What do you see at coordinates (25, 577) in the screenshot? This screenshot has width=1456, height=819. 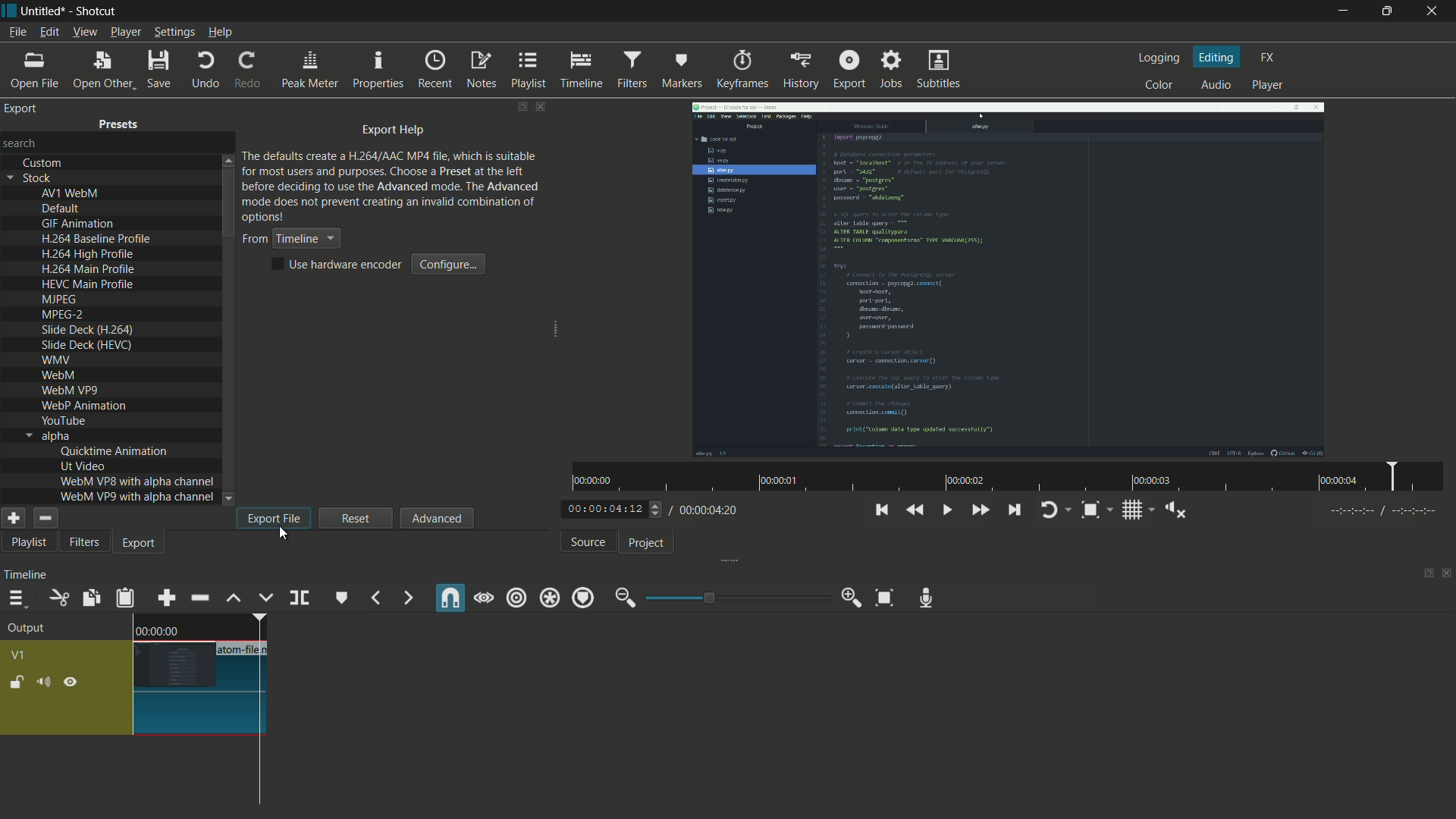 I see `timeline` at bounding box center [25, 577].